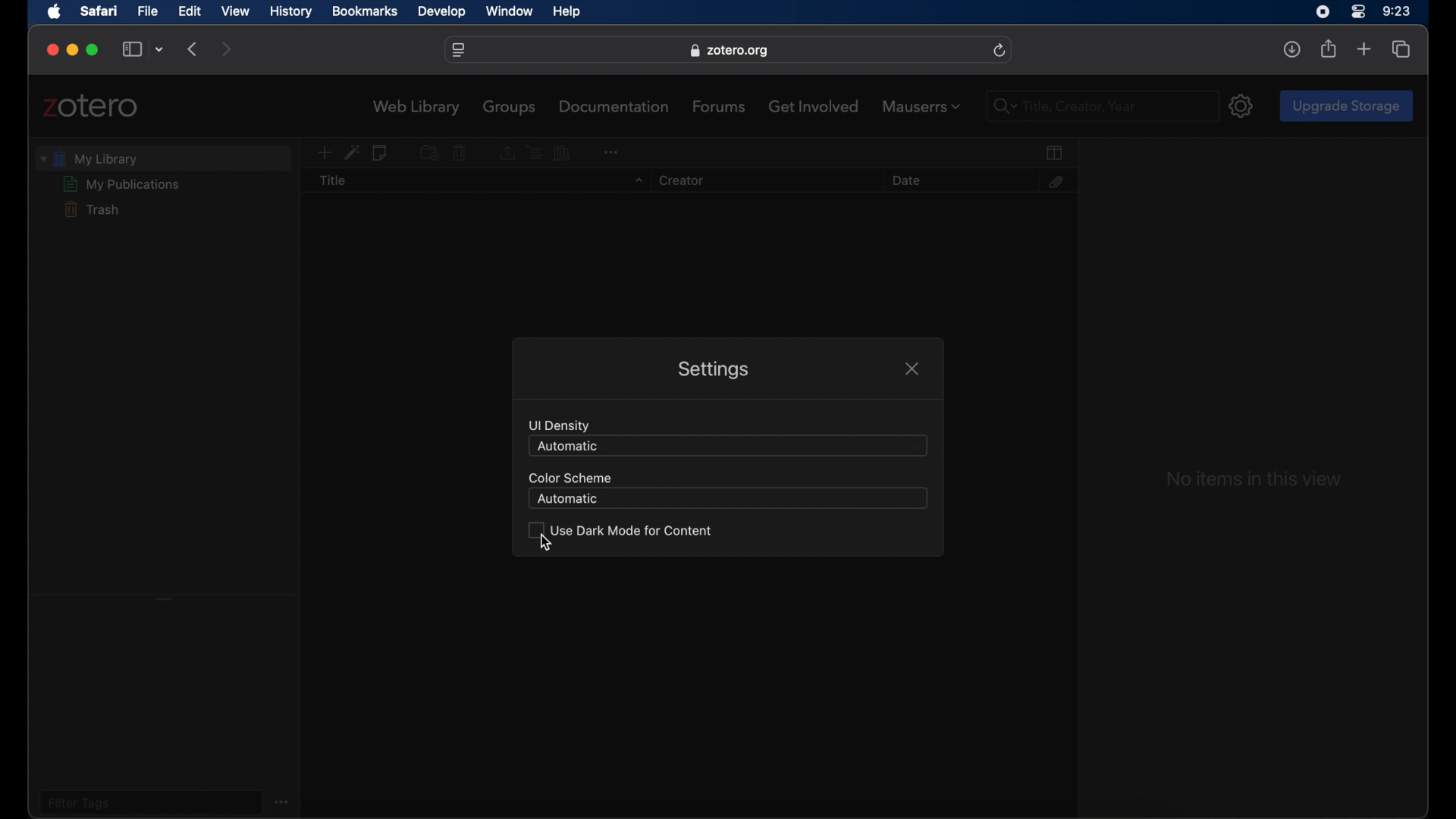 The width and height of the screenshot is (1456, 819). What do you see at coordinates (149, 11) in the screenshot?
I see `file` at bounding box center [149, 11].